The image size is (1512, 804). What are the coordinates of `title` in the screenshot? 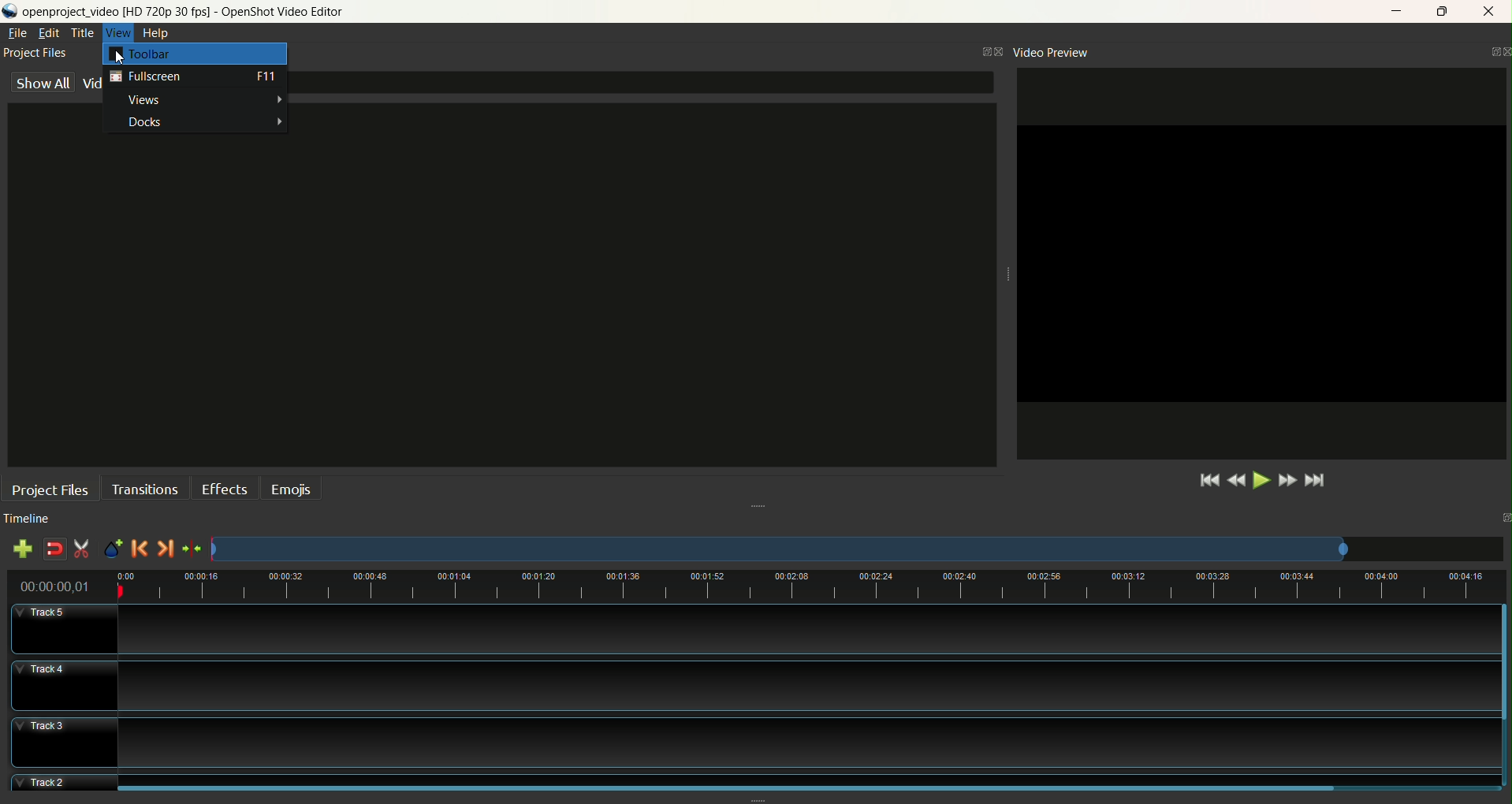 It's located at (84, 32).